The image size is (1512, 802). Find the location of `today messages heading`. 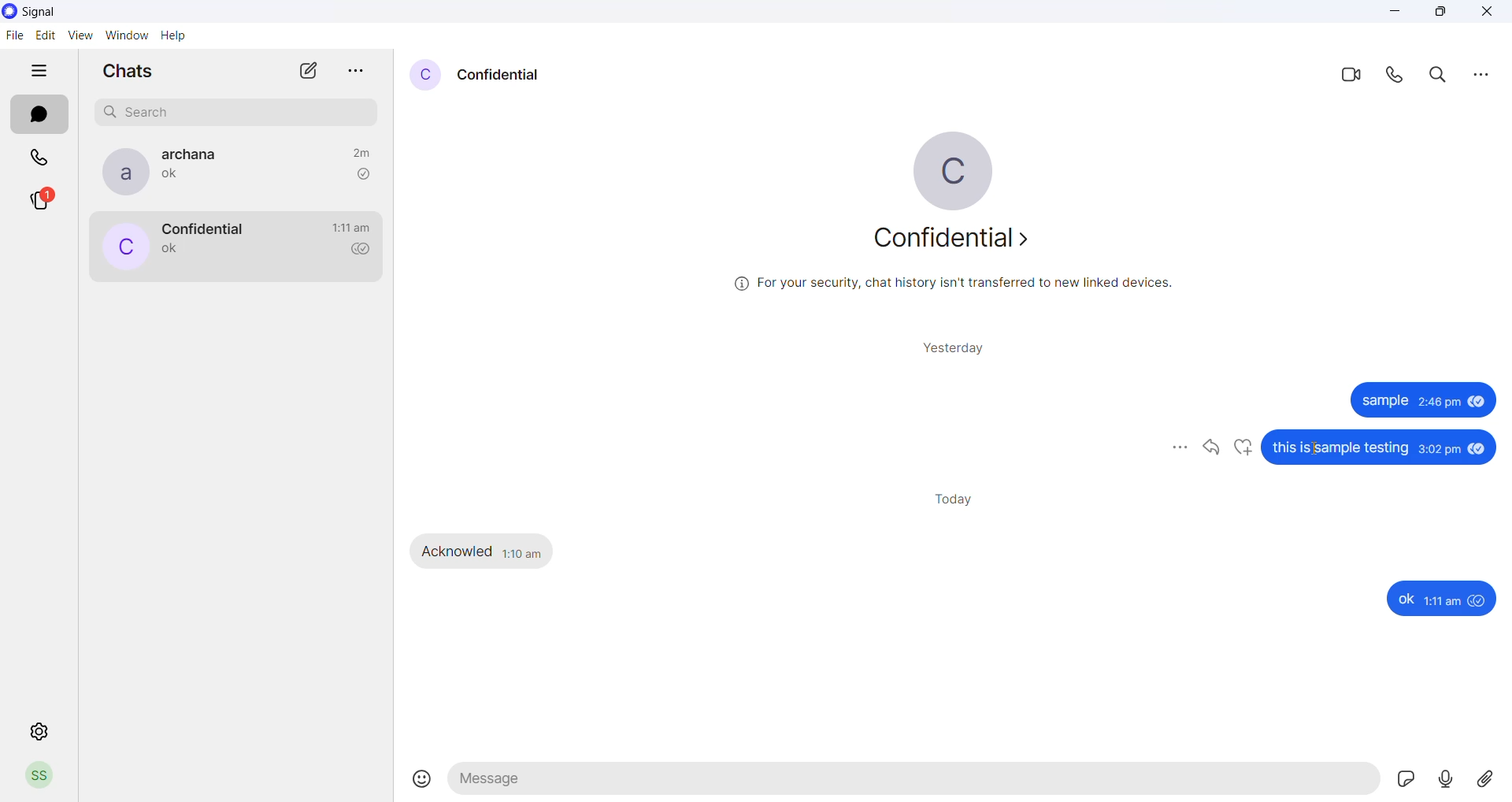

today messages heading is located at coordinates (951, 497).